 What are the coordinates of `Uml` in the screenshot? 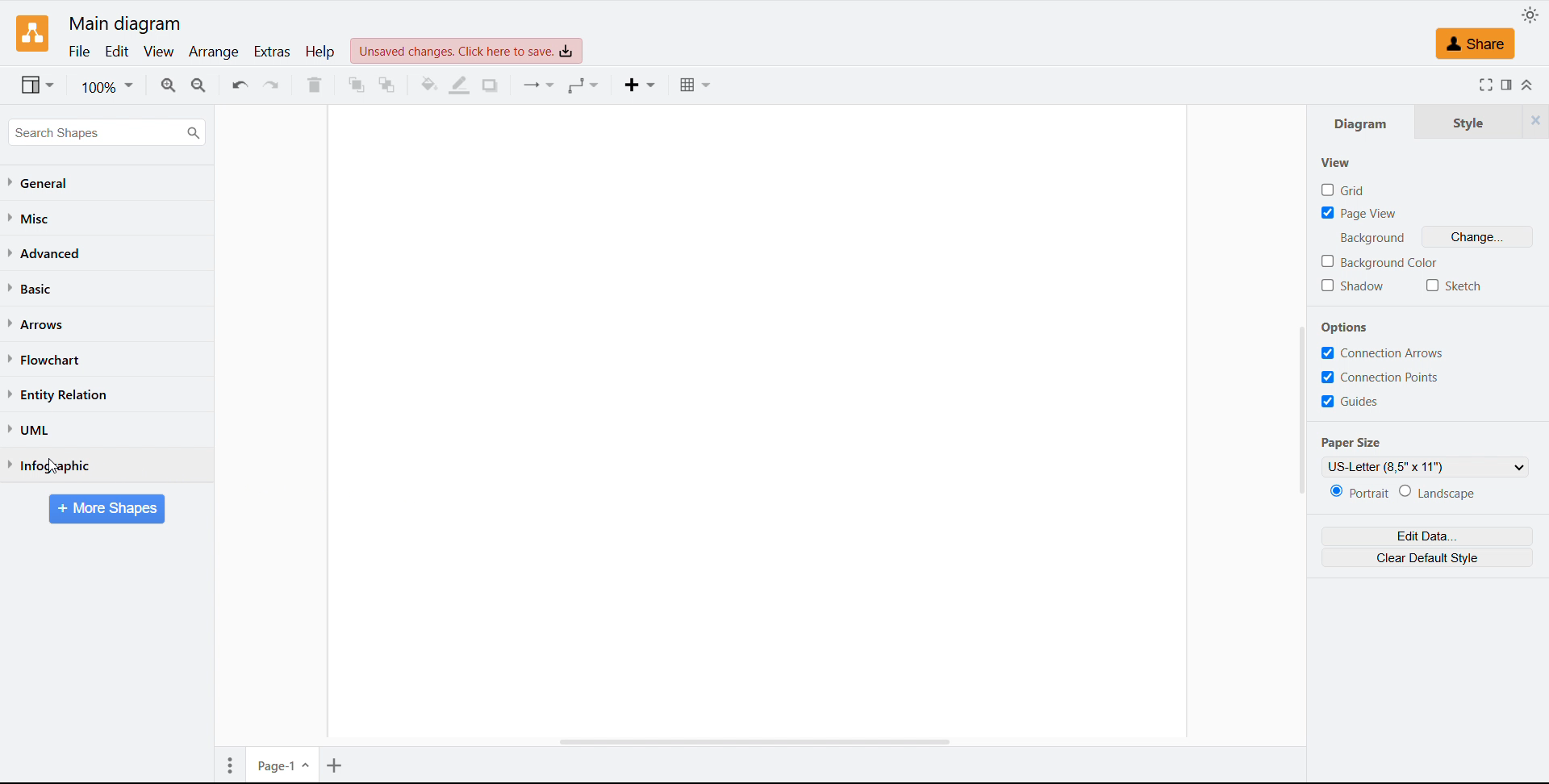 It's located at (29, 430).